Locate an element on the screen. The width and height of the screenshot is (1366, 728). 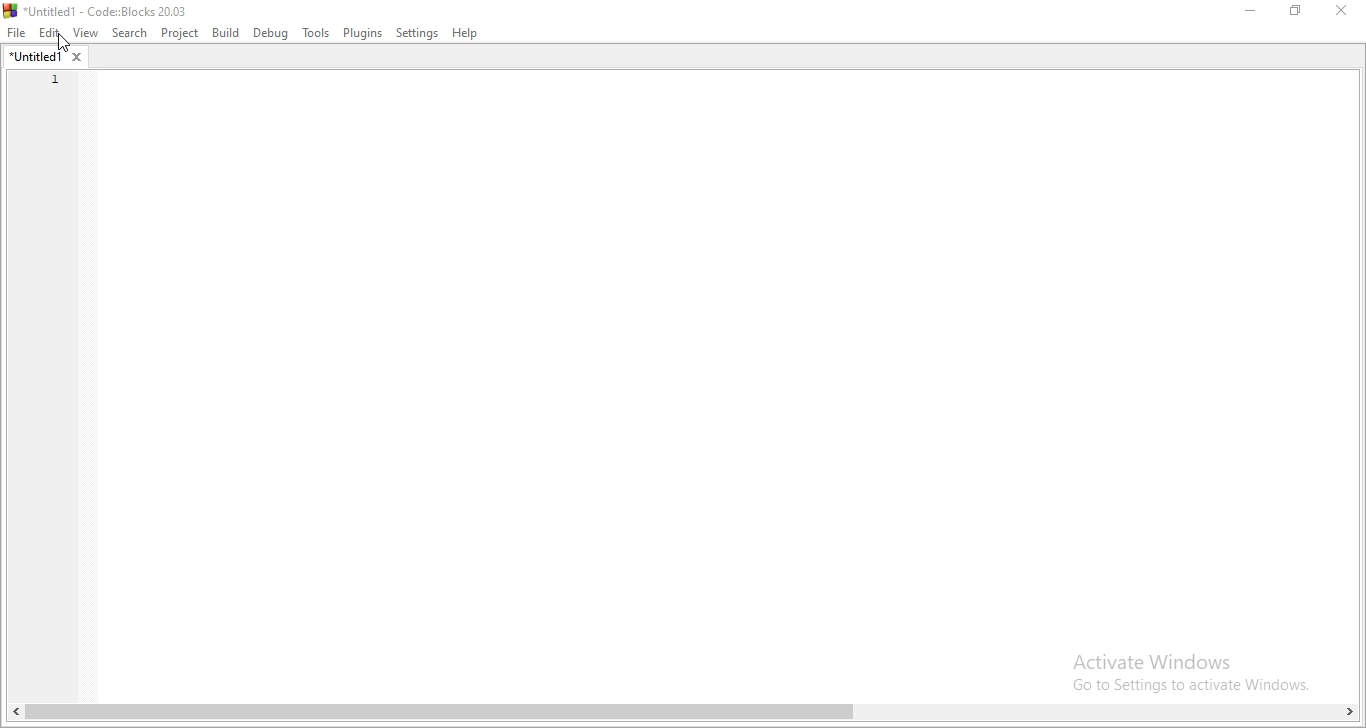
Restore is located at coordinates (1295, 13).